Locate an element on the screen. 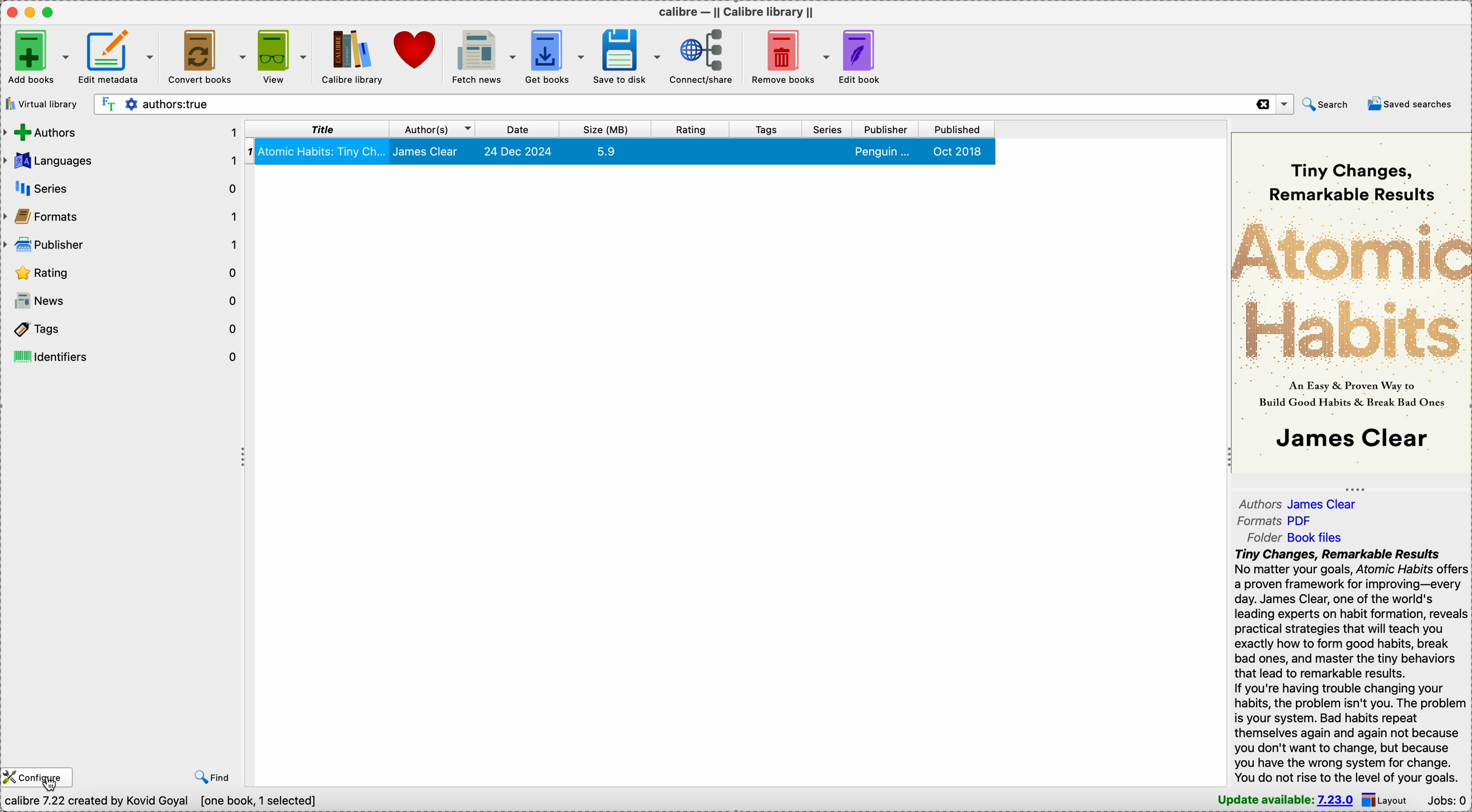 This screenshot has width=1472, height=812. tiny changes, remarkable results - synopsis is located at coordinates (1350, 666).